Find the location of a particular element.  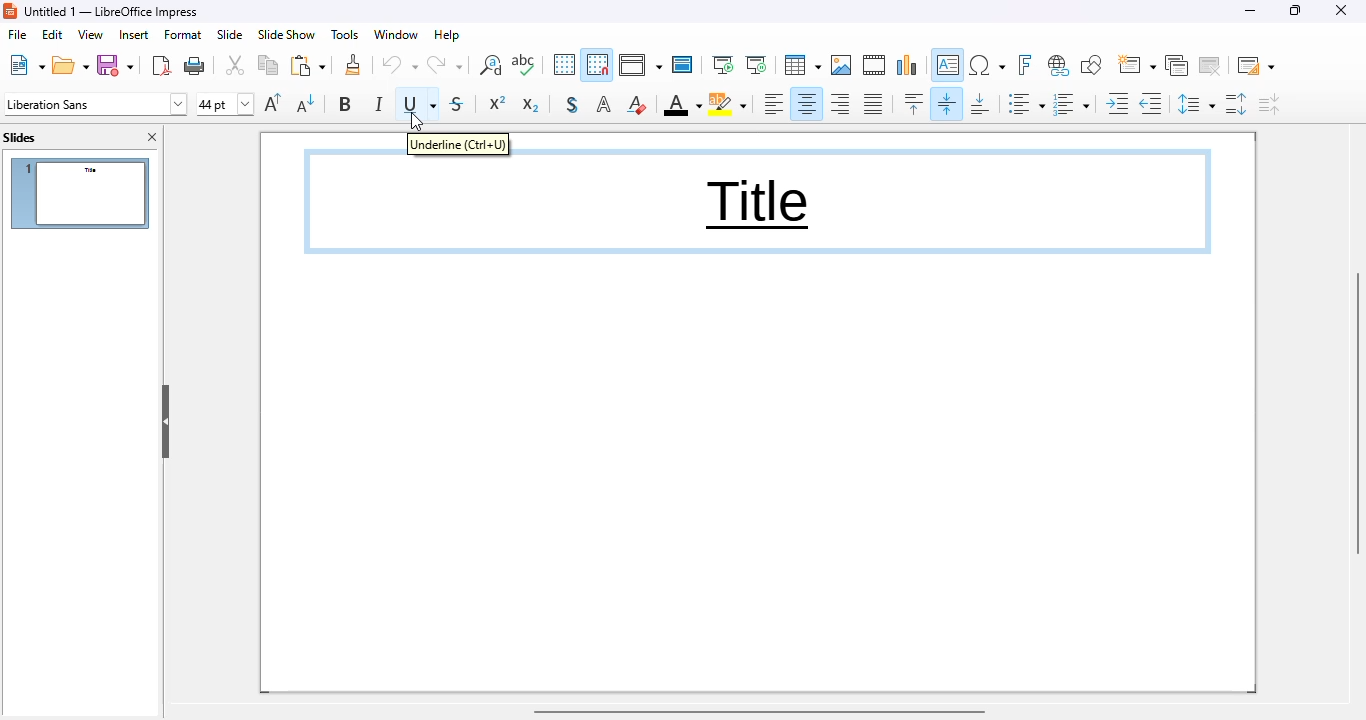

increase font size is located at coordinates (274, 102).